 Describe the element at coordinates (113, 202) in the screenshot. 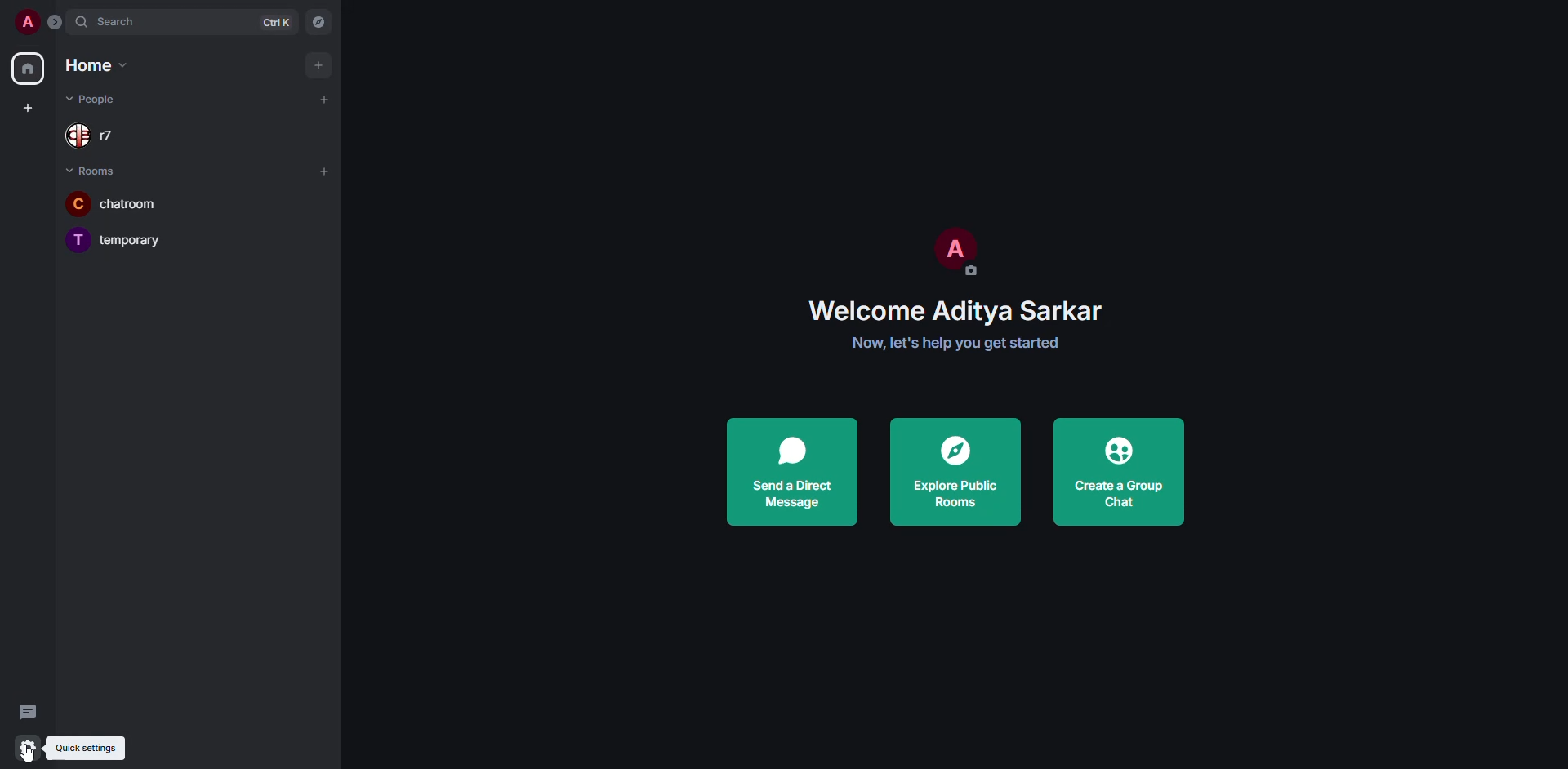

I see `chatroom` at that location.